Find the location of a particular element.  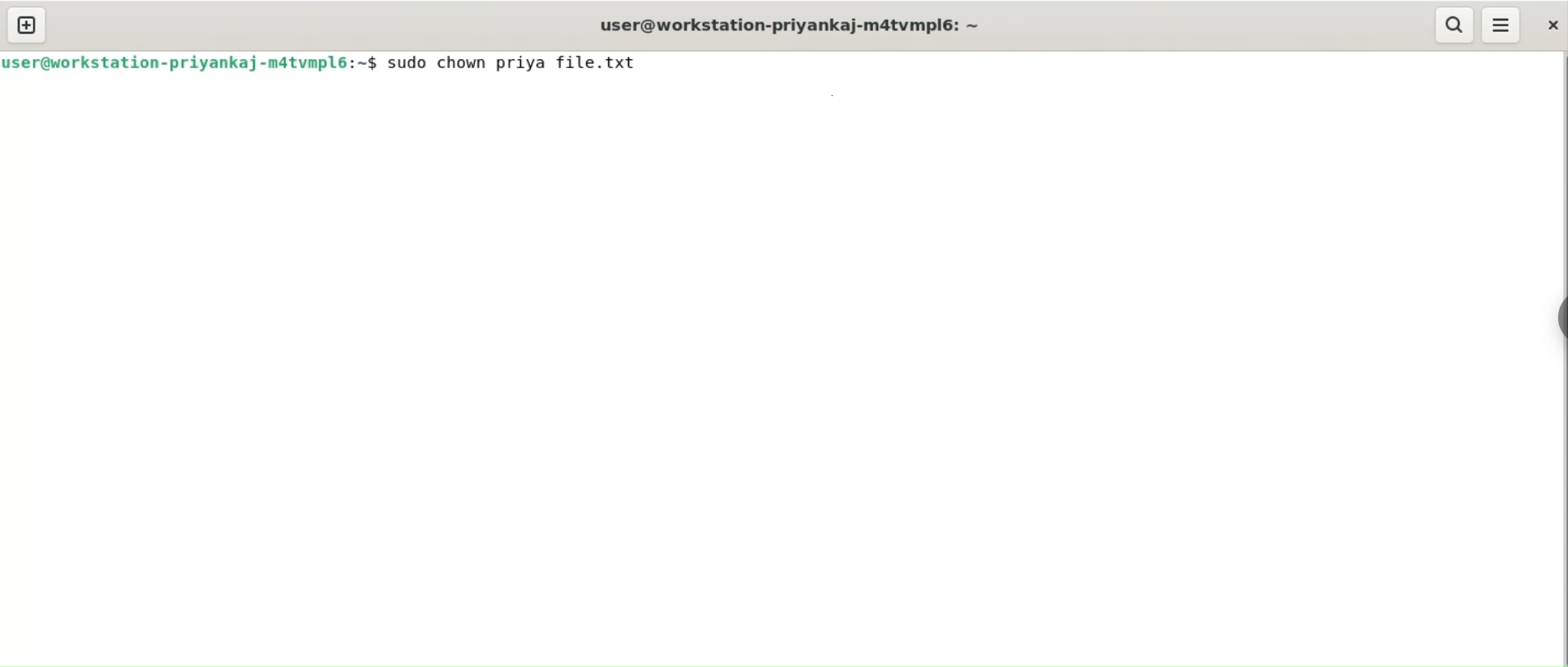

close is located at coordinates (1549, 25).